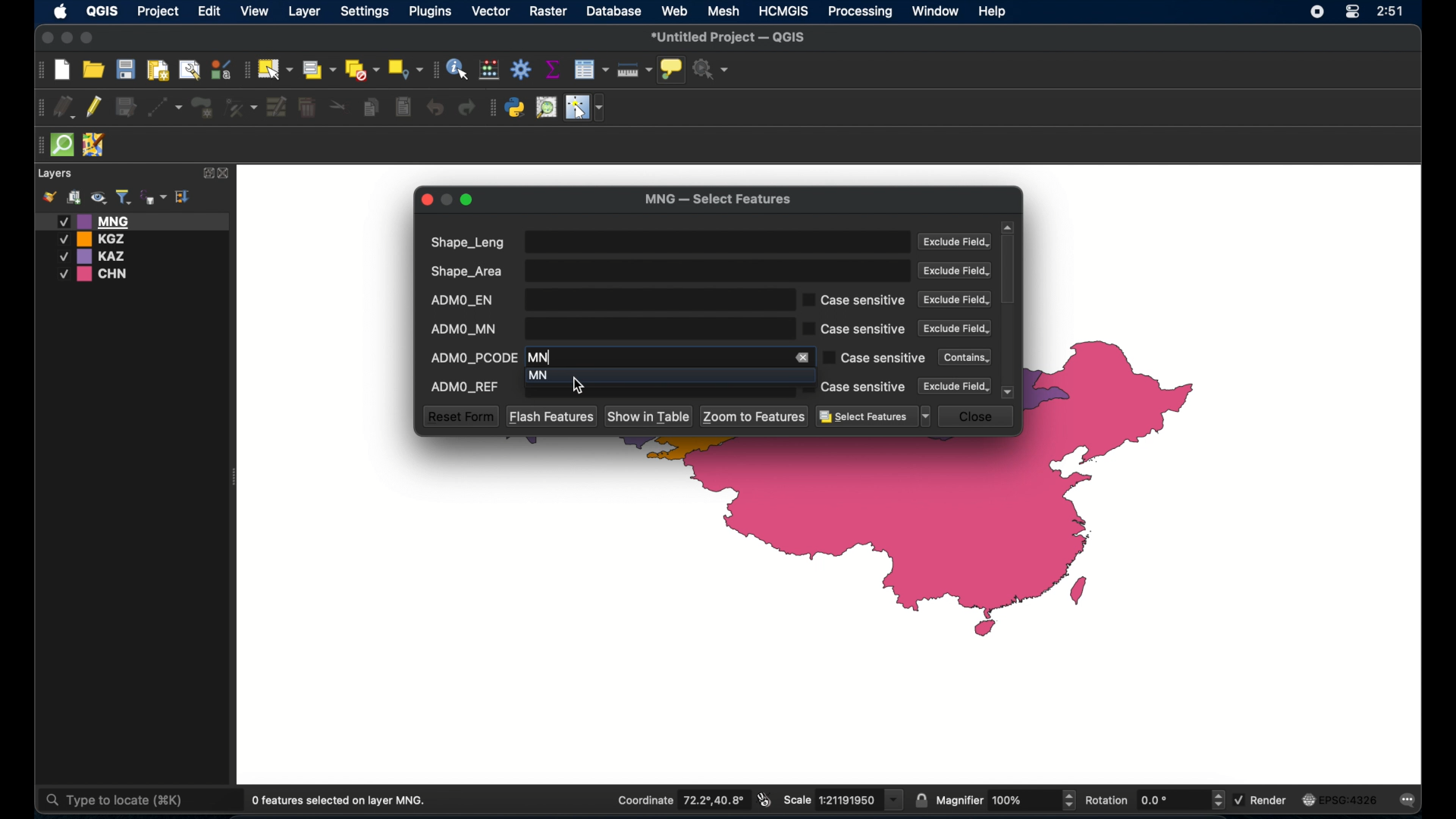  What do you see at coordinates (1316, 11) in the screenshot?
I see `screen recorder` at bounding box center [1316, 11].